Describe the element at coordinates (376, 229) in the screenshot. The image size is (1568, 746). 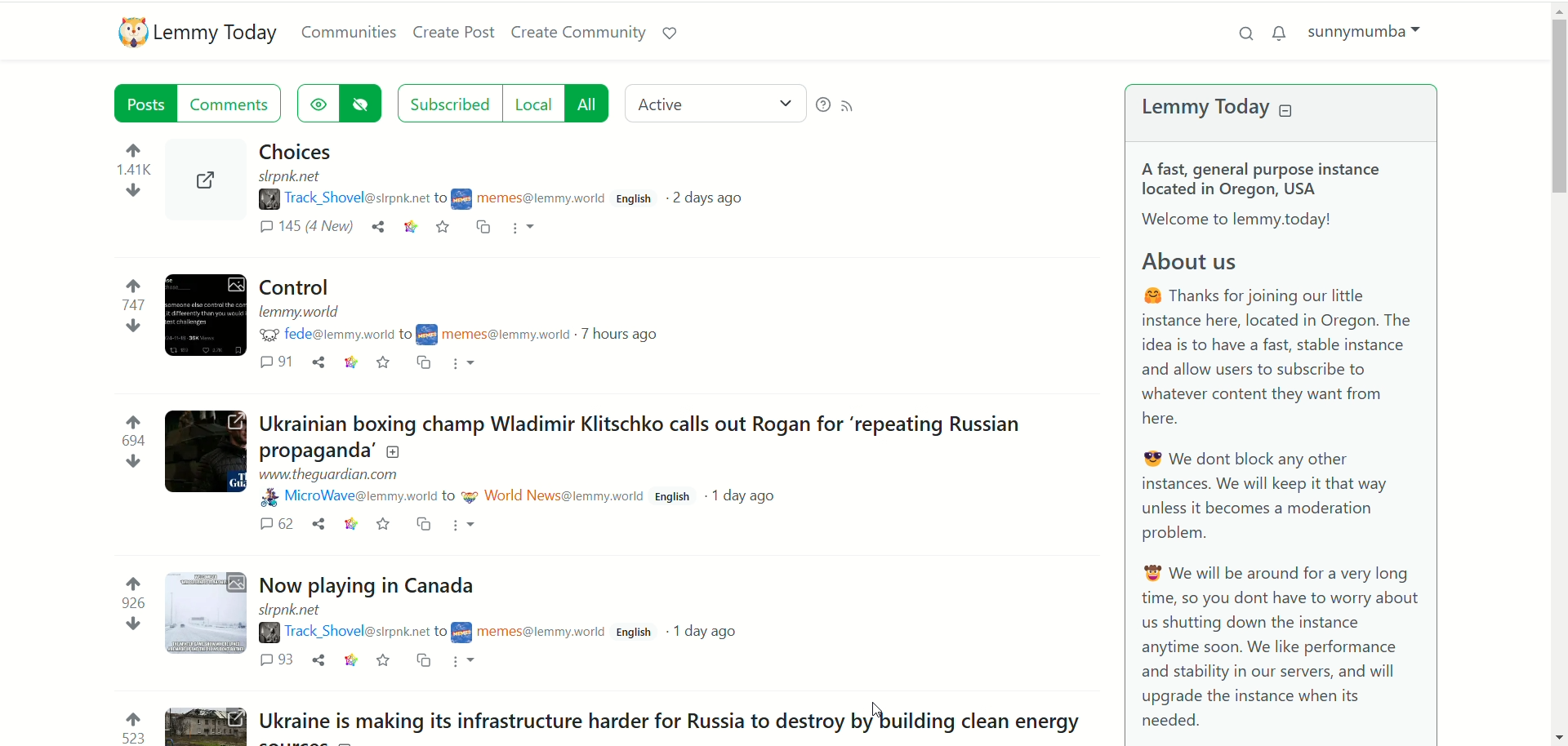
I see `share` at that location.